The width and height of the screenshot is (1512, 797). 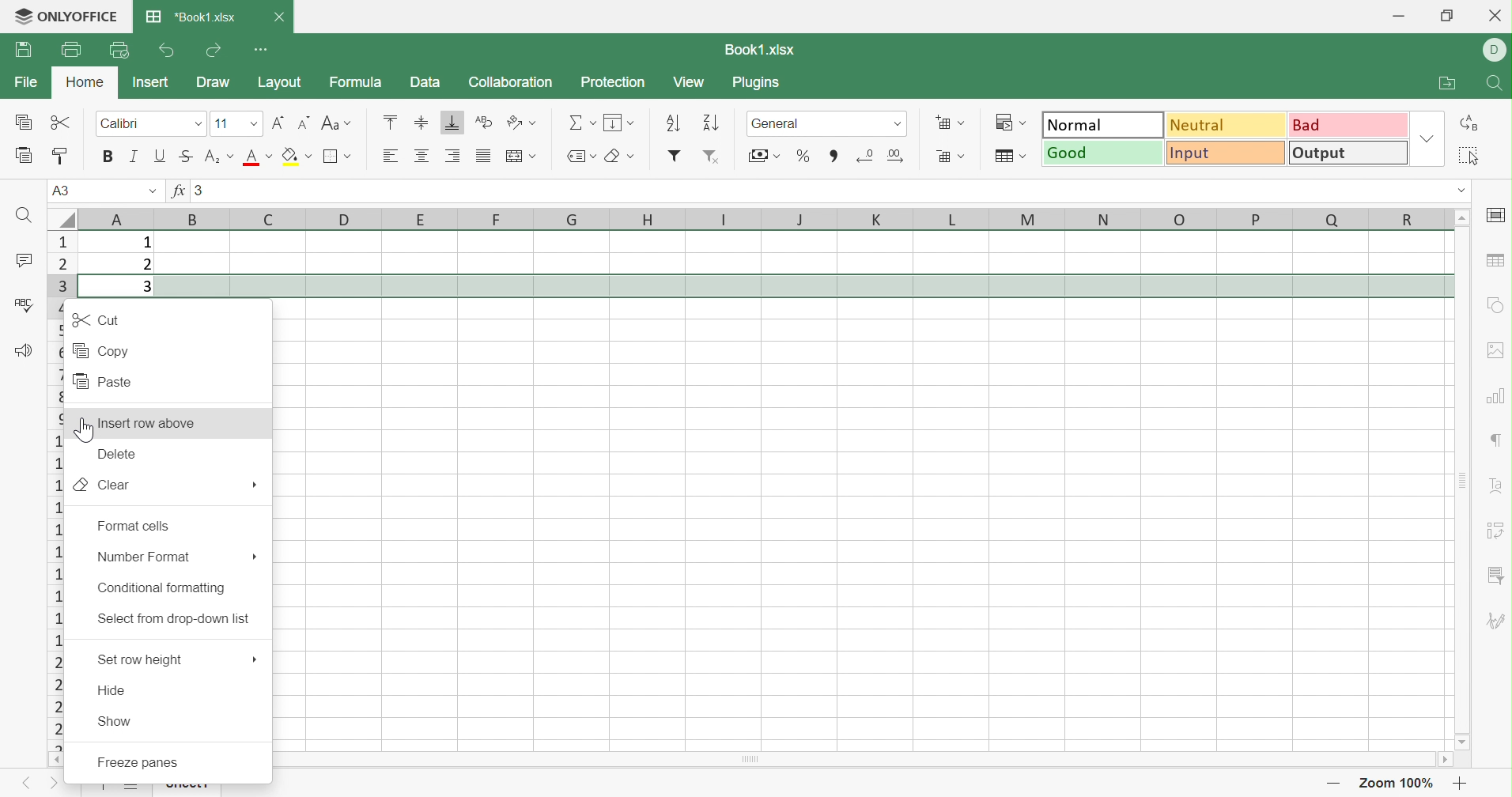 What do you see at coordinates (1443, 759) in the screenshot?
I see `Scroll Right` at bounding box center [1443, 759].